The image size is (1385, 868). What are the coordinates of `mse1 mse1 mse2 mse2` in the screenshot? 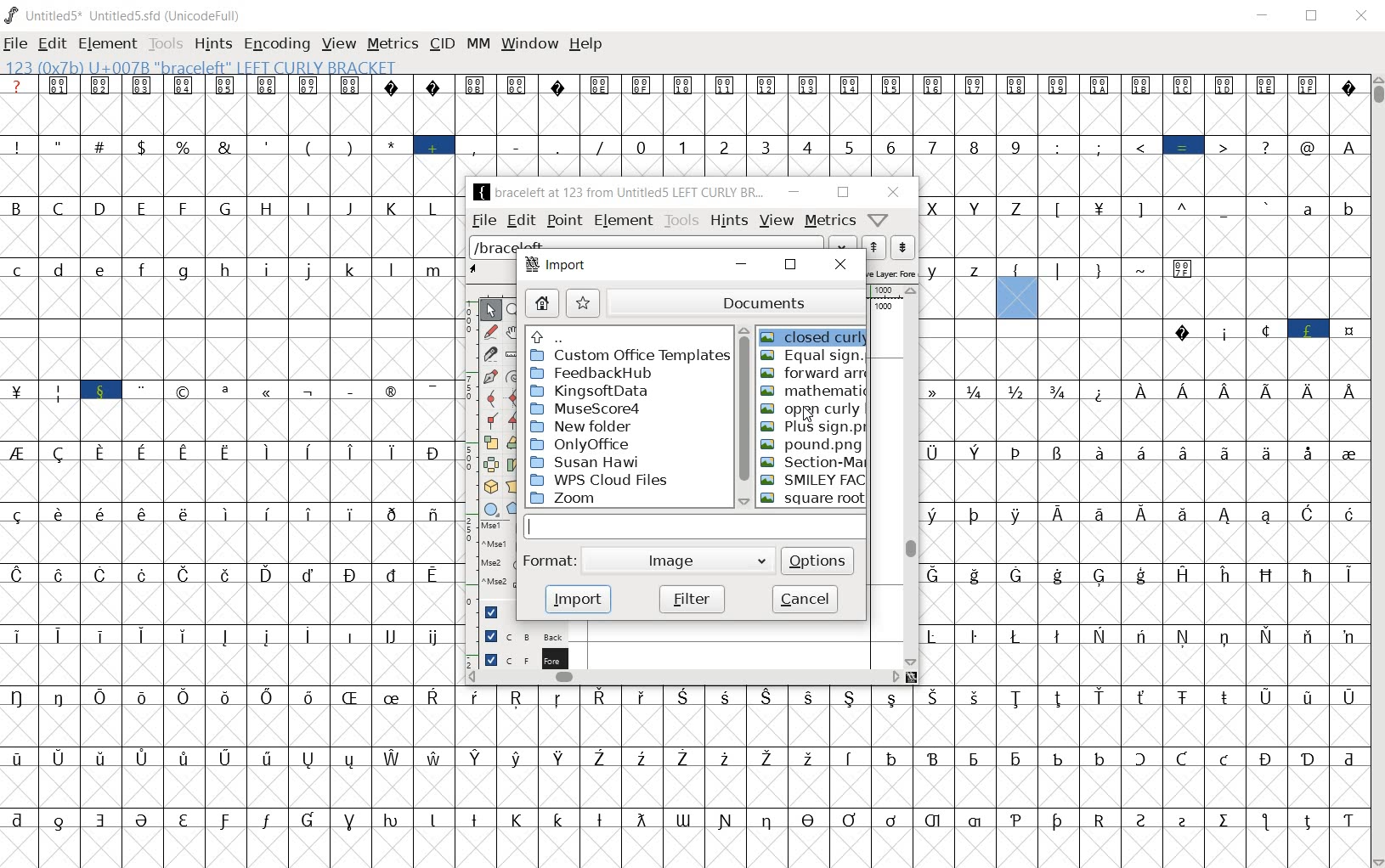 It's located at (491, 559).